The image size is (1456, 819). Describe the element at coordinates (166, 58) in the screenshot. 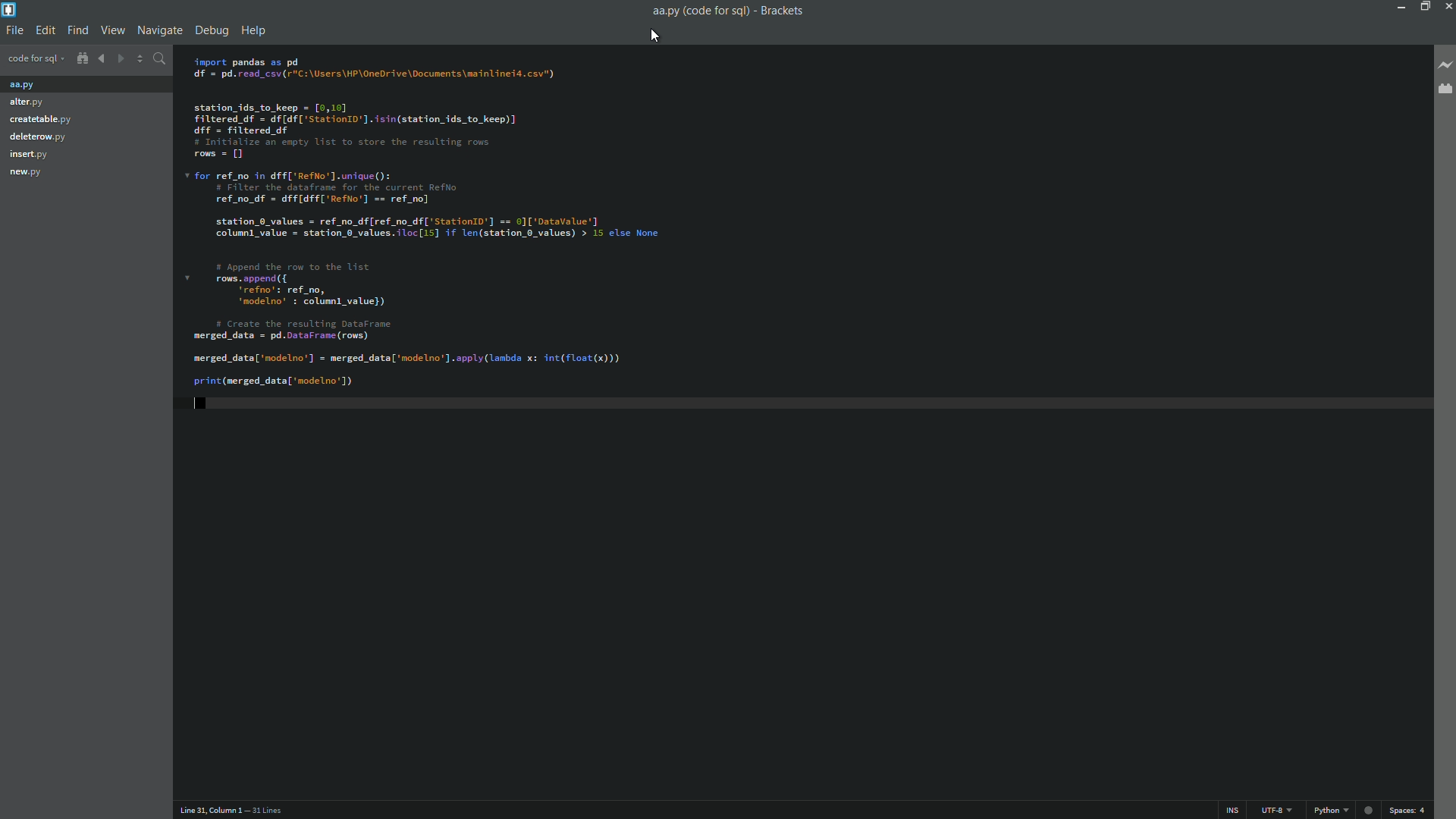

I see `find in files` at that location.